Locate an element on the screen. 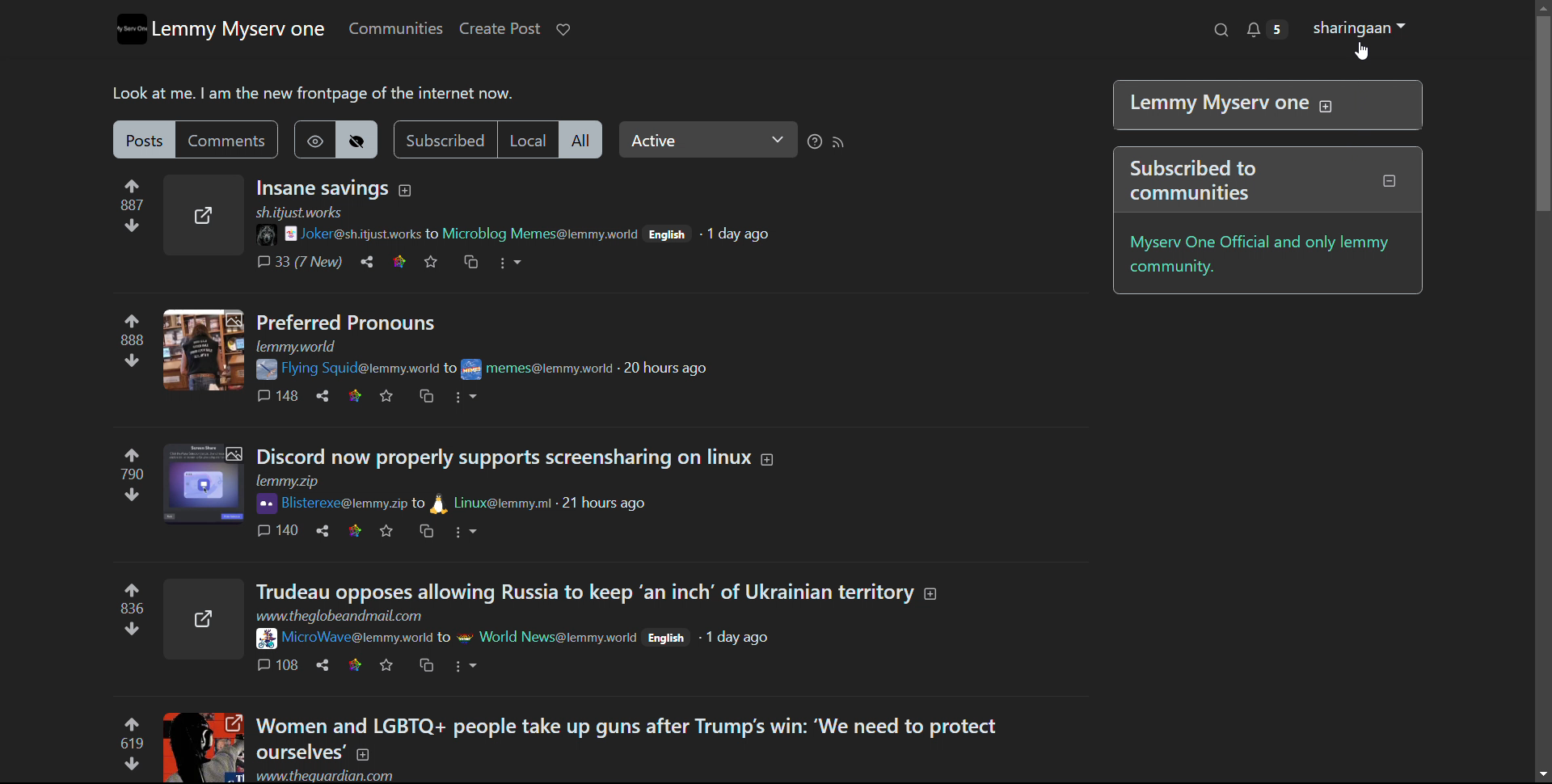 The image size is (1552, 784). upvote and downvotes is located at coordinates (131, 609).